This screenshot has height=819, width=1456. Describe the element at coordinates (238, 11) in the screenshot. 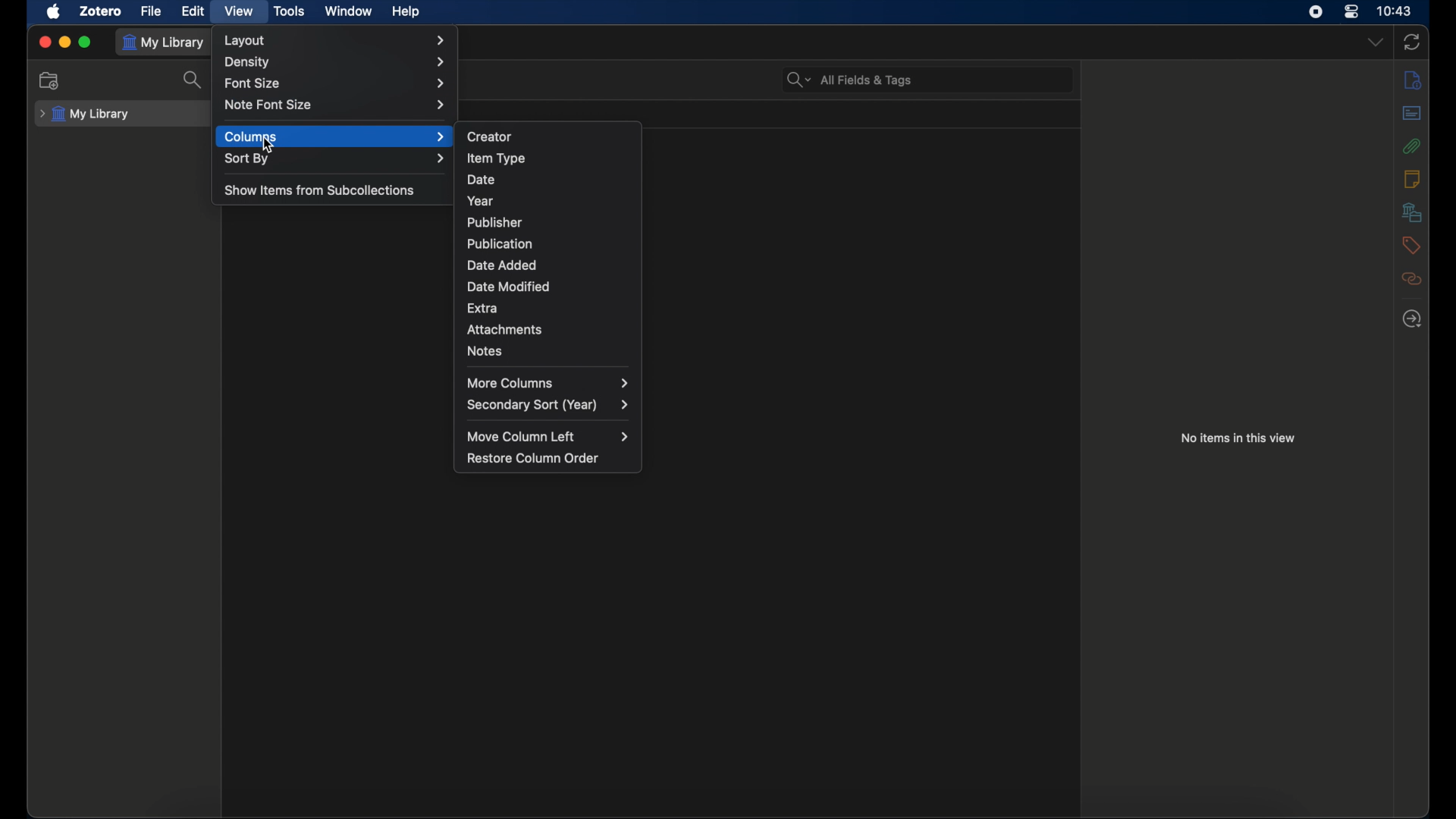

I see `view` at that location.